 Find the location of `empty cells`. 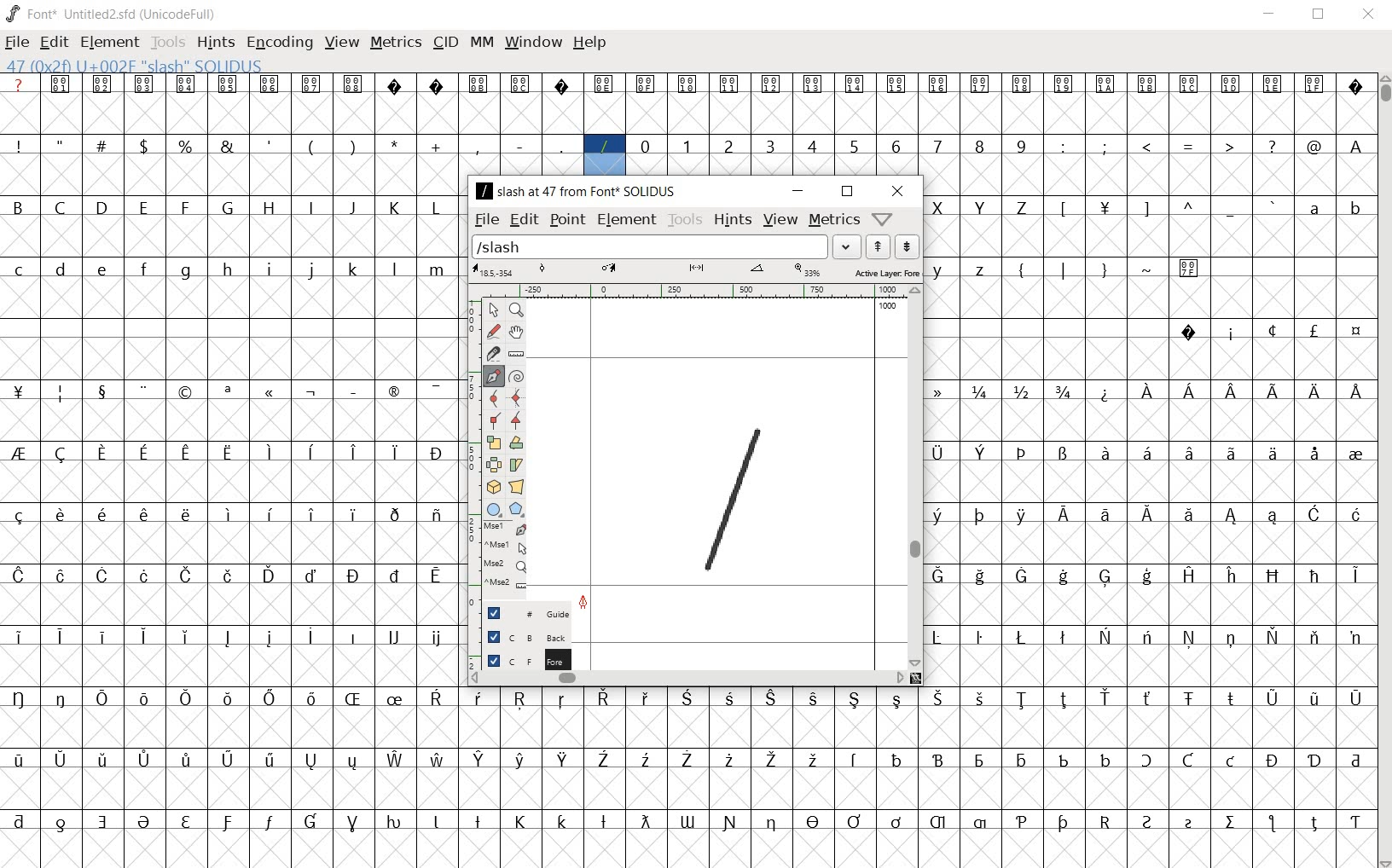

empty cells is located at coordinates (688, 847).